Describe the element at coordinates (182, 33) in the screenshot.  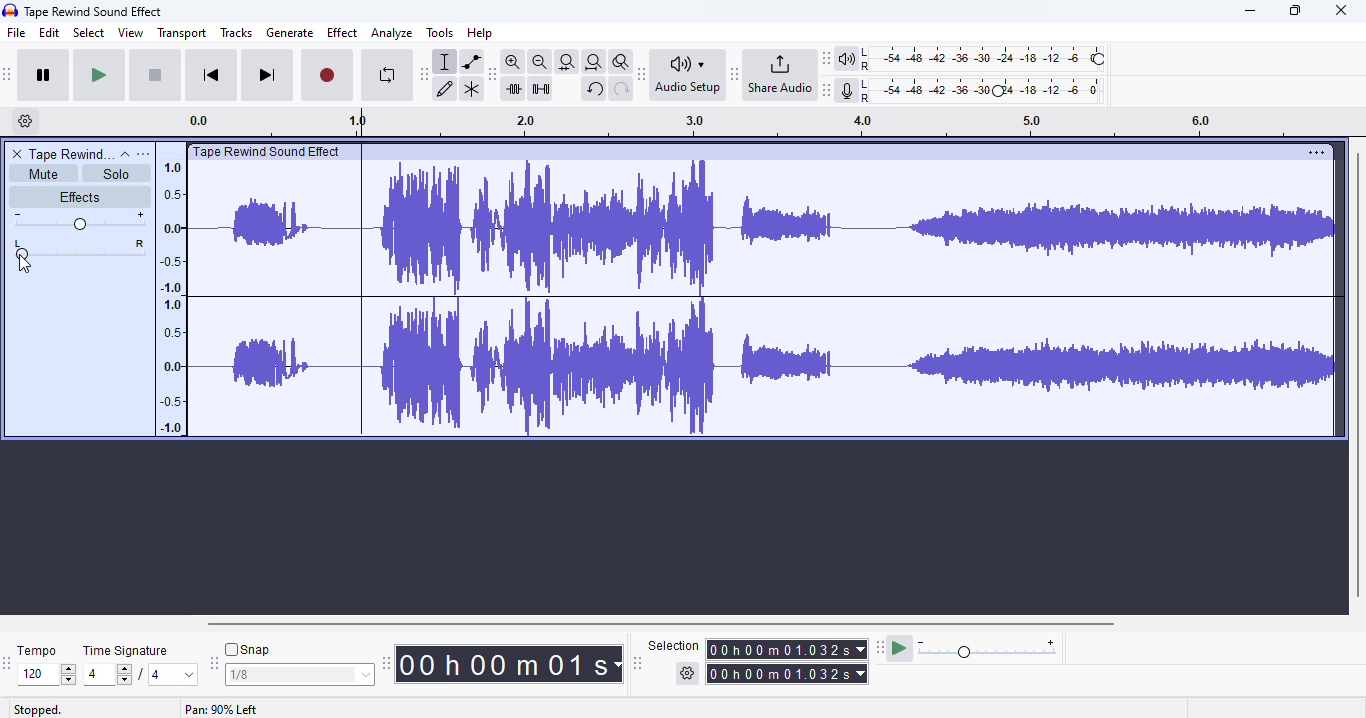
I see `transport` at that location.